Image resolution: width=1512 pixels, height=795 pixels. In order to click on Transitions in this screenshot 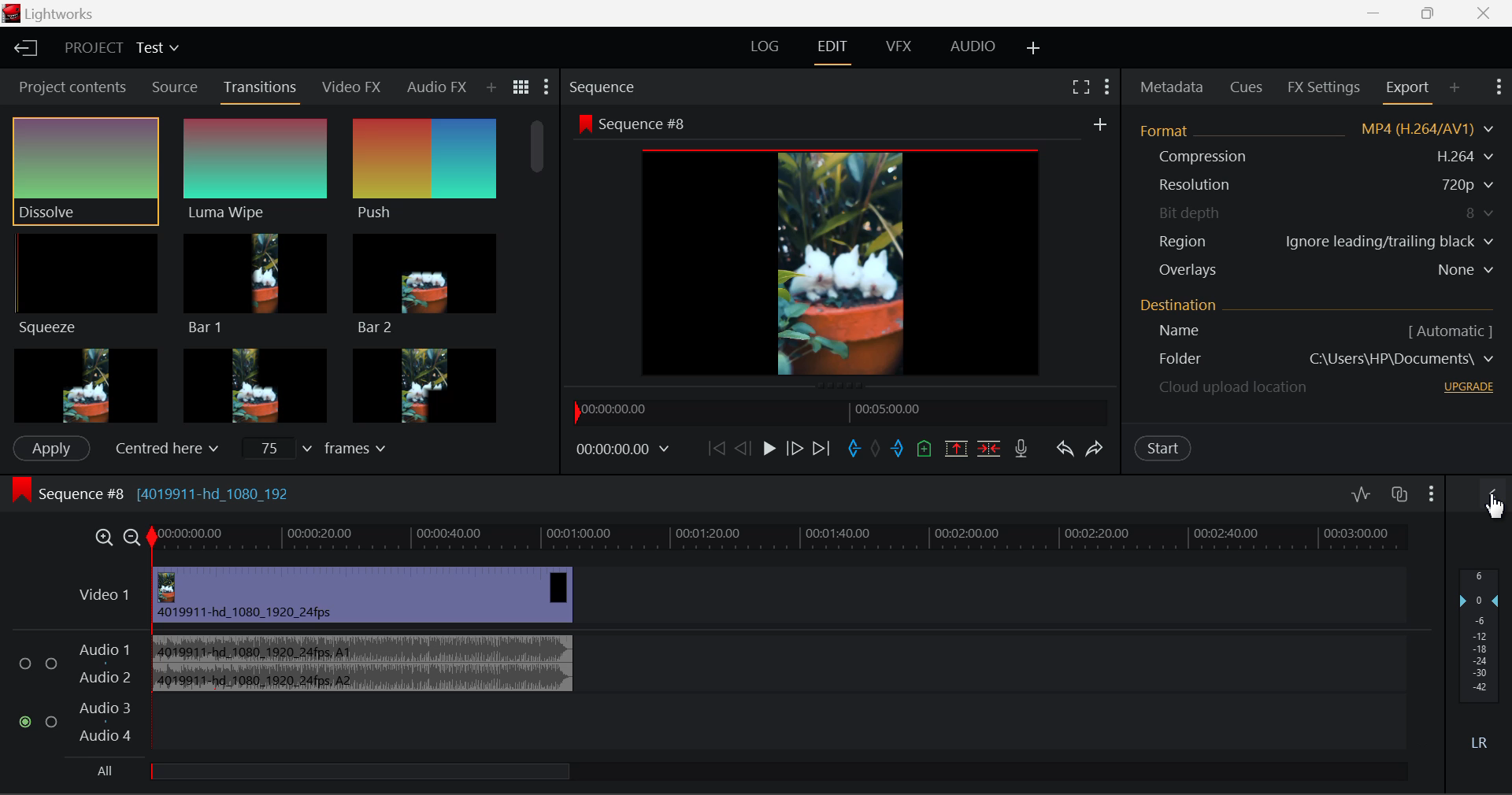, I will do `click(258, 91)`.